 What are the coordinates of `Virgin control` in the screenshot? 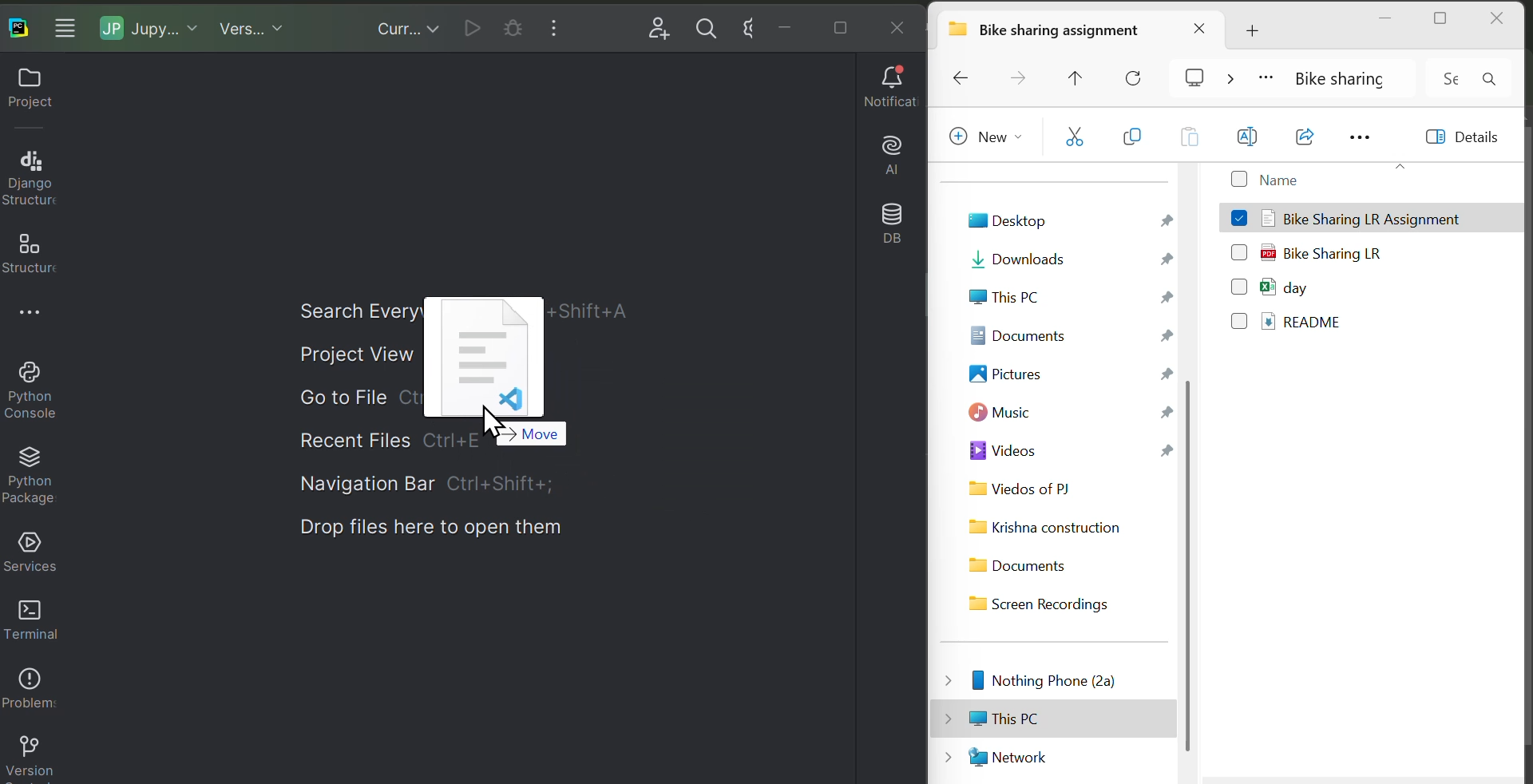 It's located at (252, 27).